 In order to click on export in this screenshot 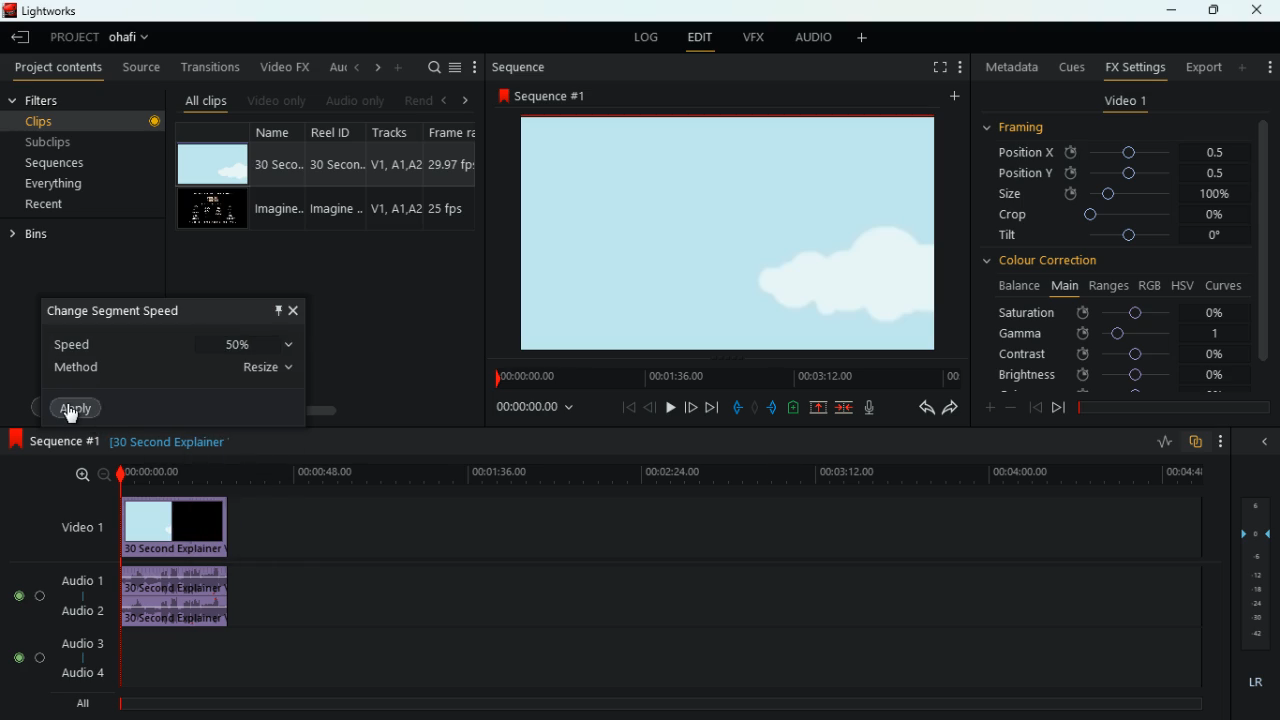, I will do `click(1199, 67)`.